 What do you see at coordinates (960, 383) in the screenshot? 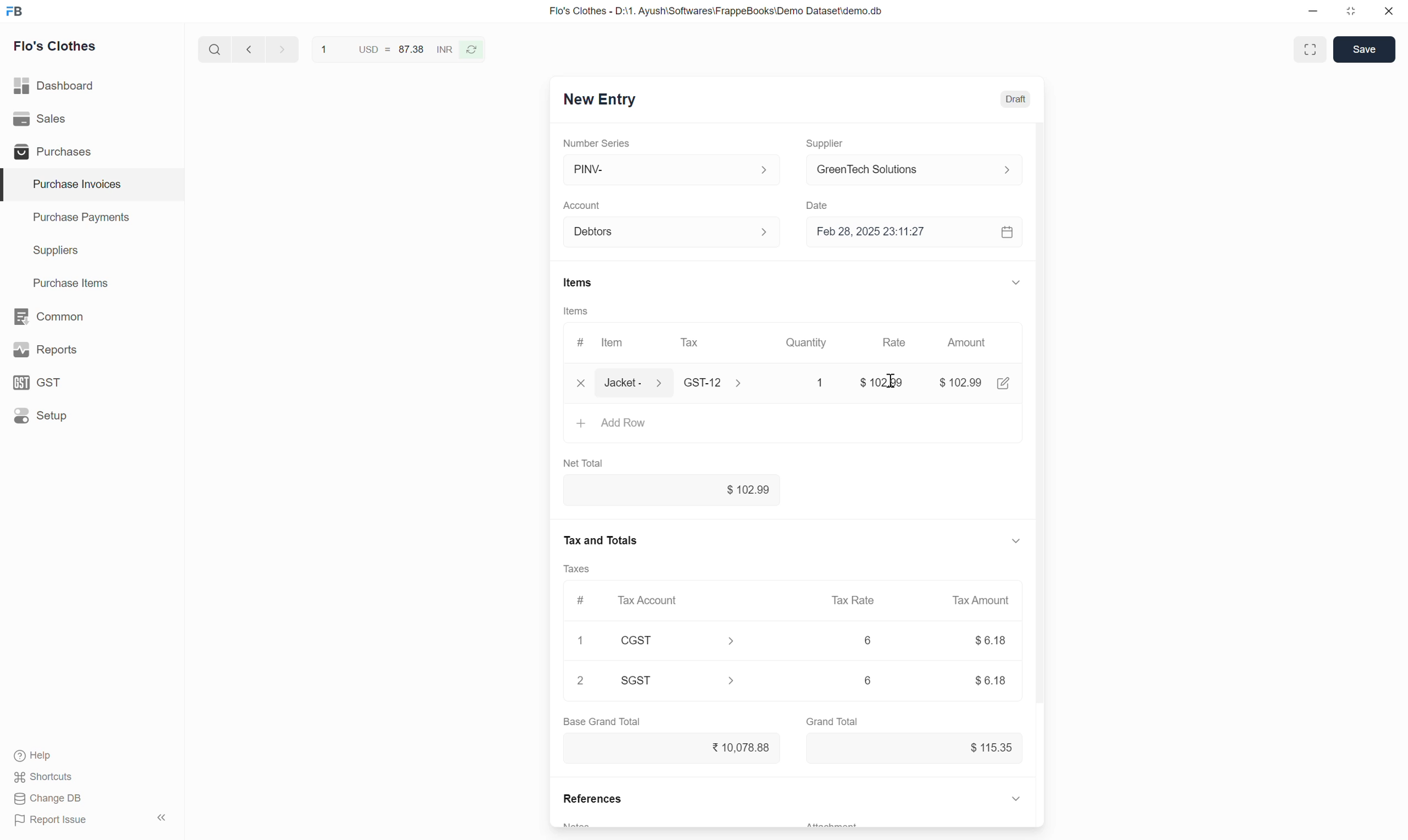
I see `$ 102.99` at bounding box center [960, 383].